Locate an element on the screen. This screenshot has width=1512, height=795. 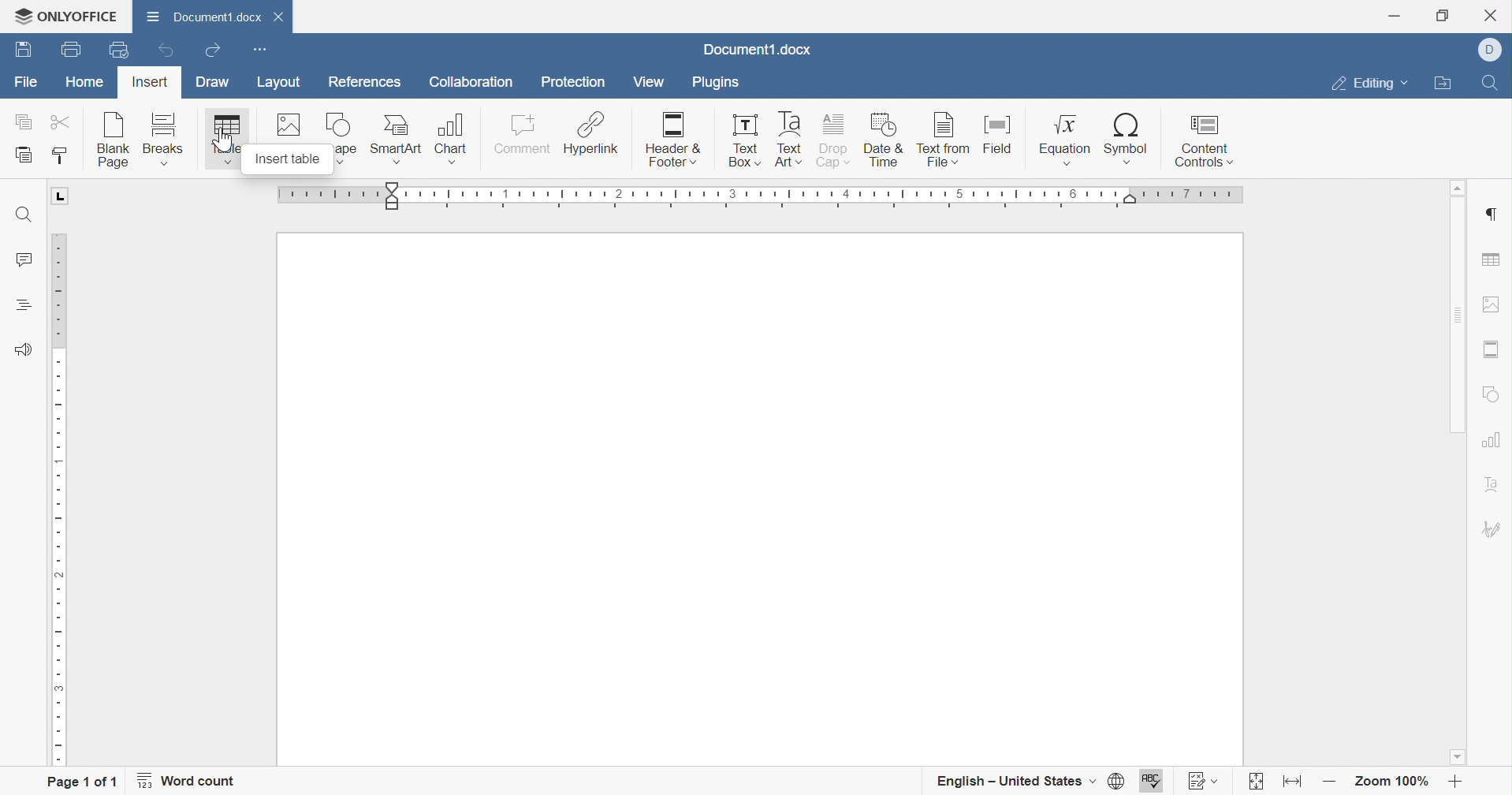
Equation is located at coordinates (1063, 140).